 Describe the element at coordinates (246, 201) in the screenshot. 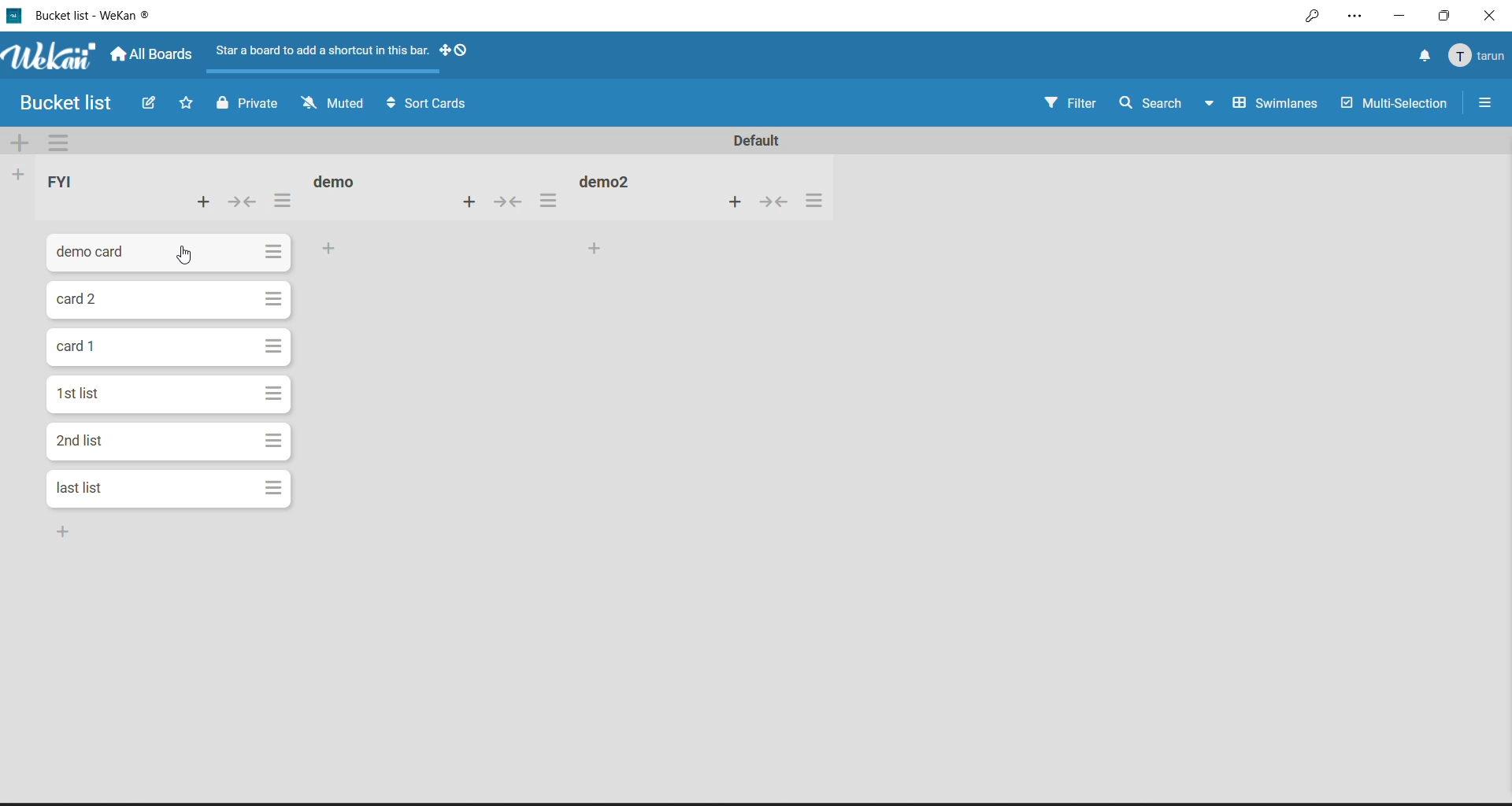

I see `collapse` at that location.